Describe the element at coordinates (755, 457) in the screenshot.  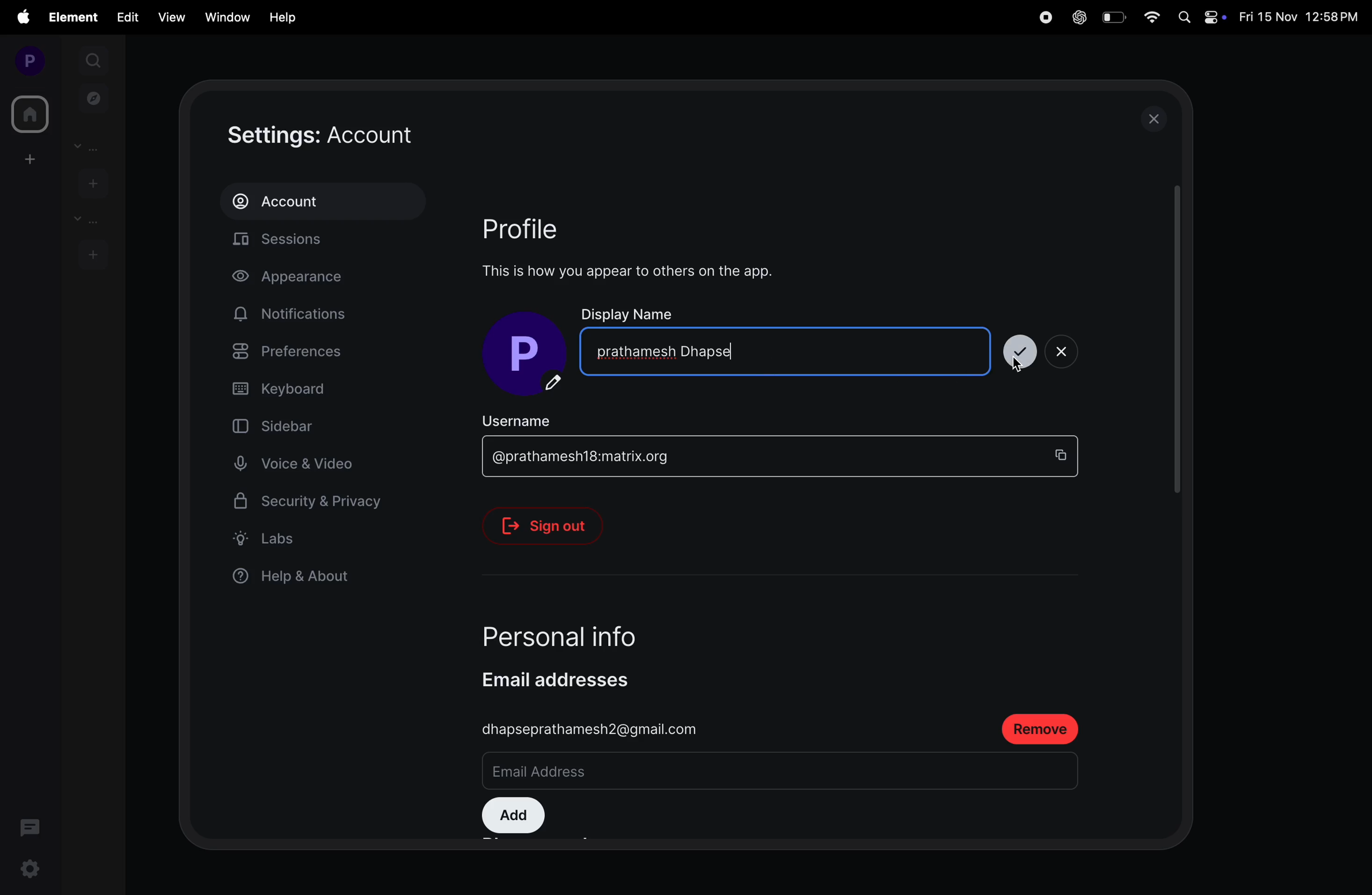
I see `matrix mail.id` at that location.